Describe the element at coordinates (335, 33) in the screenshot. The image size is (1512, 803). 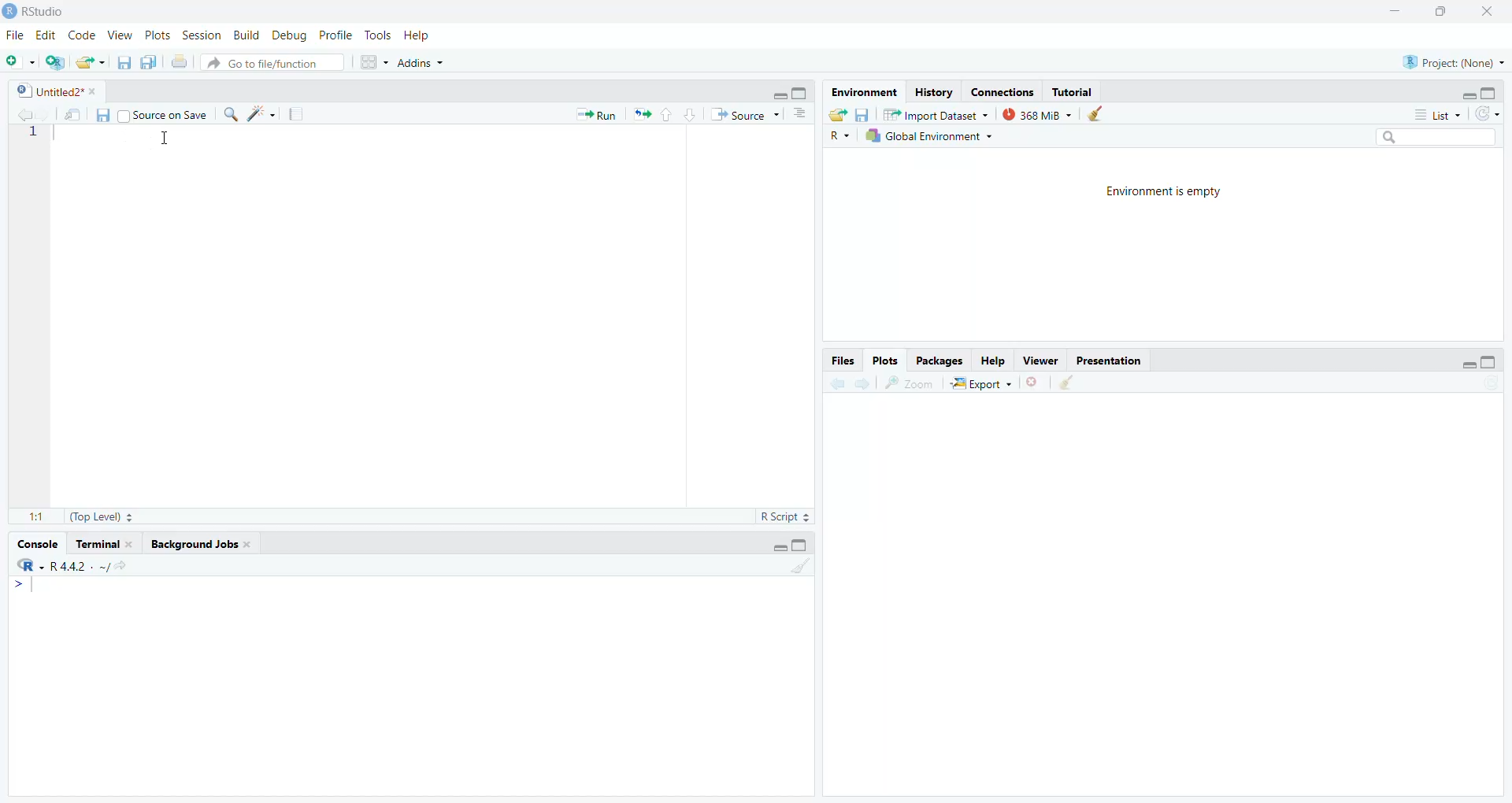
I see `Profile` at that location.